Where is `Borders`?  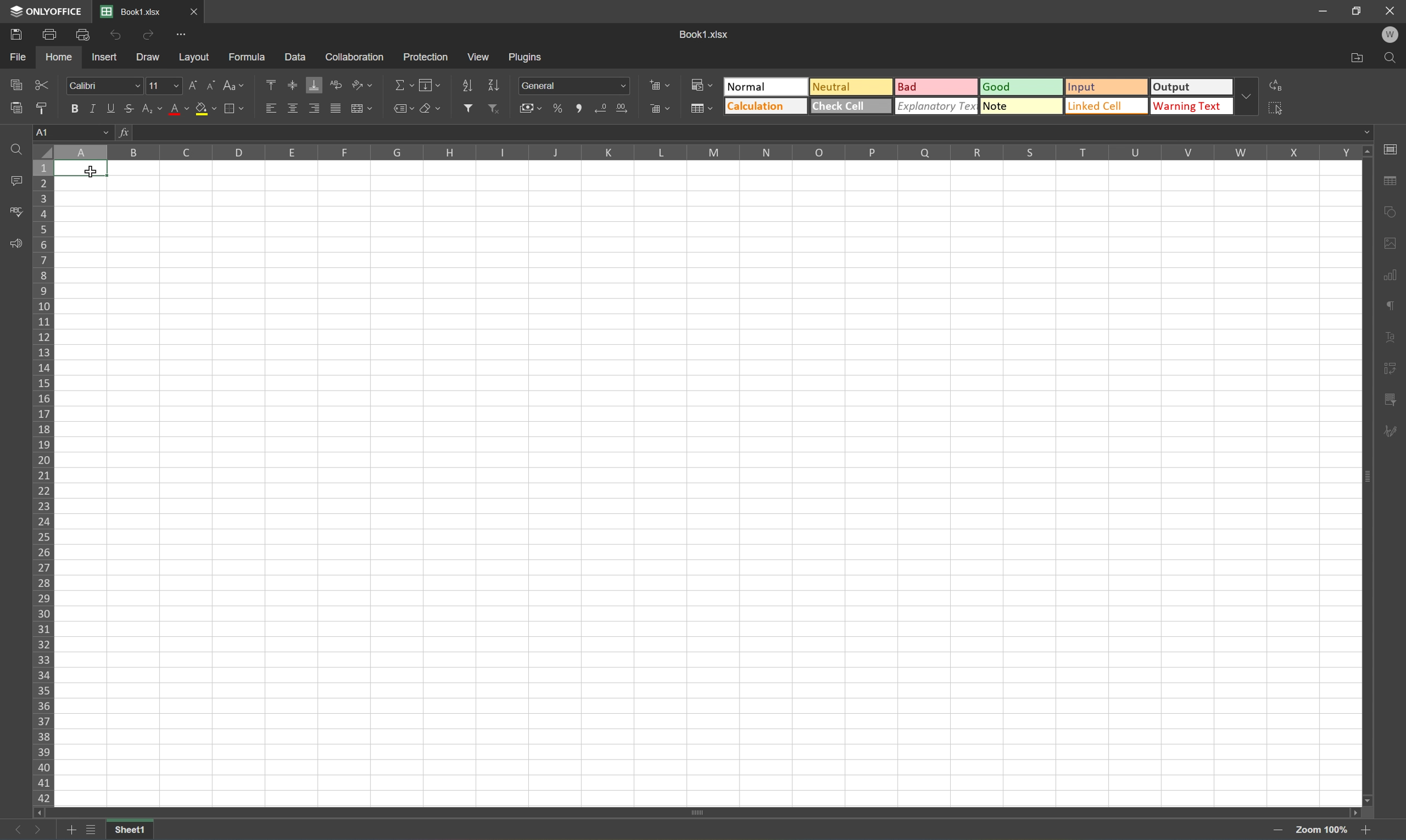
Borders is located at coordinates (238, 108).